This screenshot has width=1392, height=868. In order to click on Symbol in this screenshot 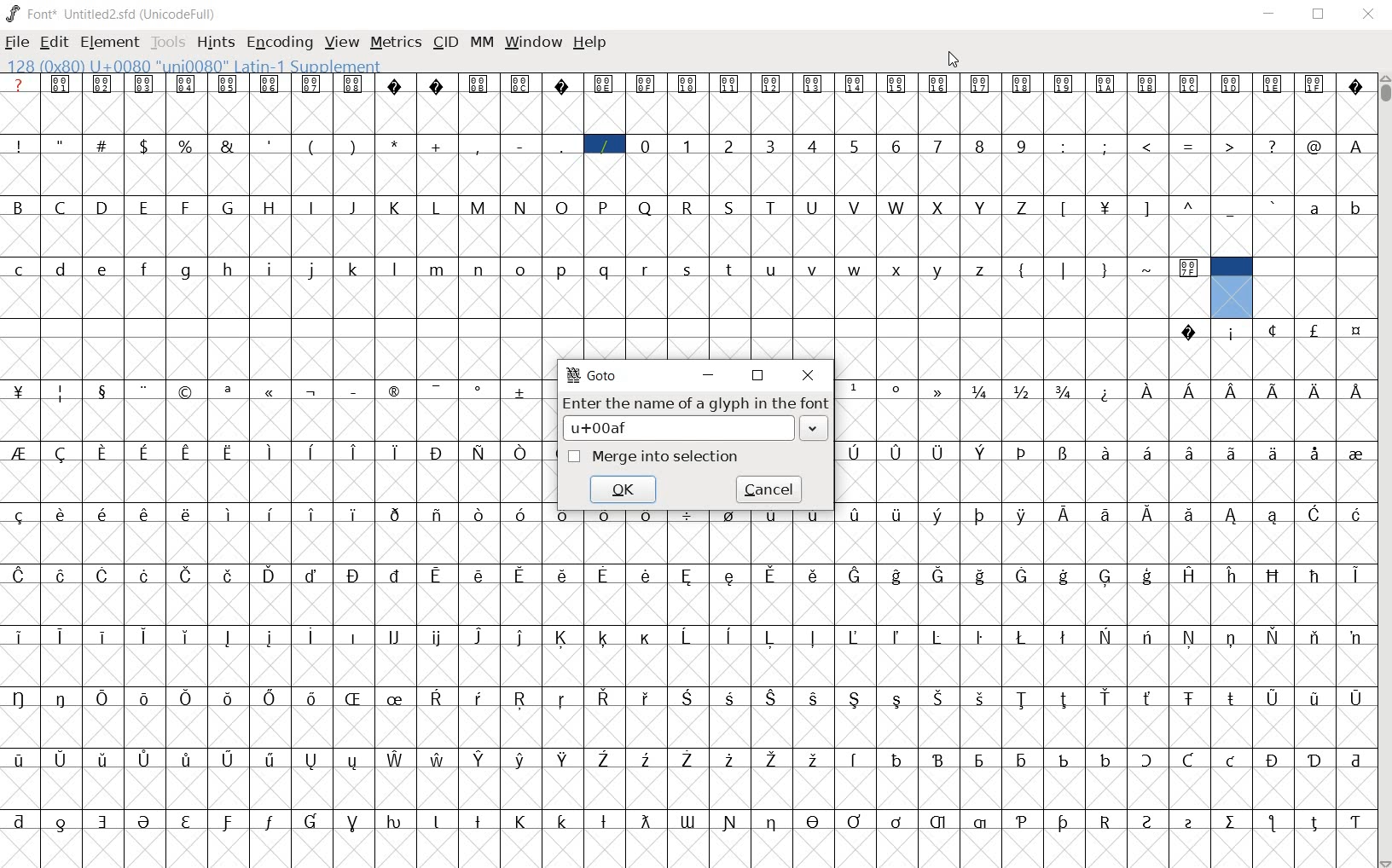, I will do `click(312, 635)`.